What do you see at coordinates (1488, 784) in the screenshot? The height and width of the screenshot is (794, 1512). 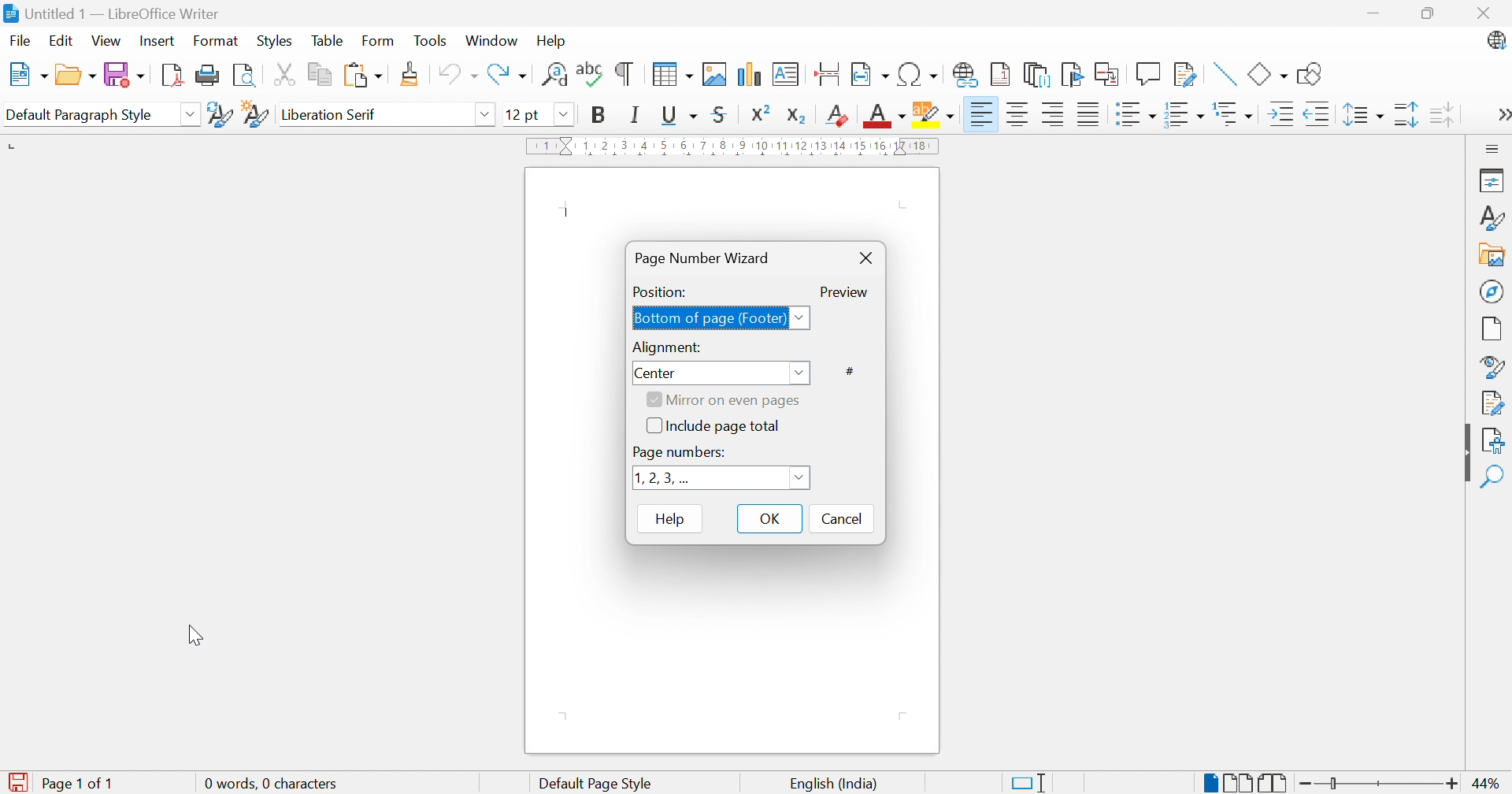 I see `44%` at bounding box center [1488, 784].